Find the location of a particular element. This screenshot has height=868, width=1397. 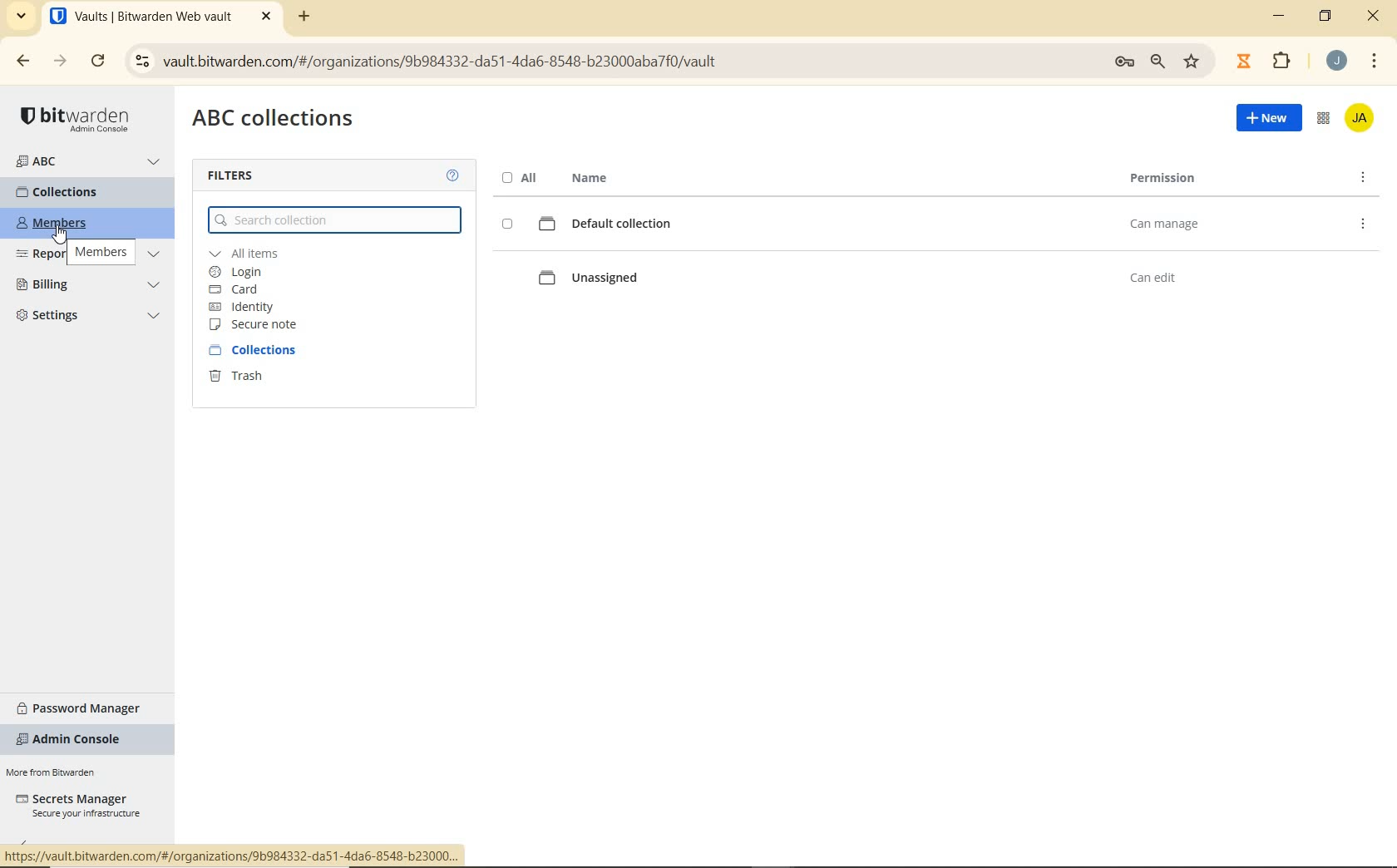

ALL is located at coordinates (517, 177).